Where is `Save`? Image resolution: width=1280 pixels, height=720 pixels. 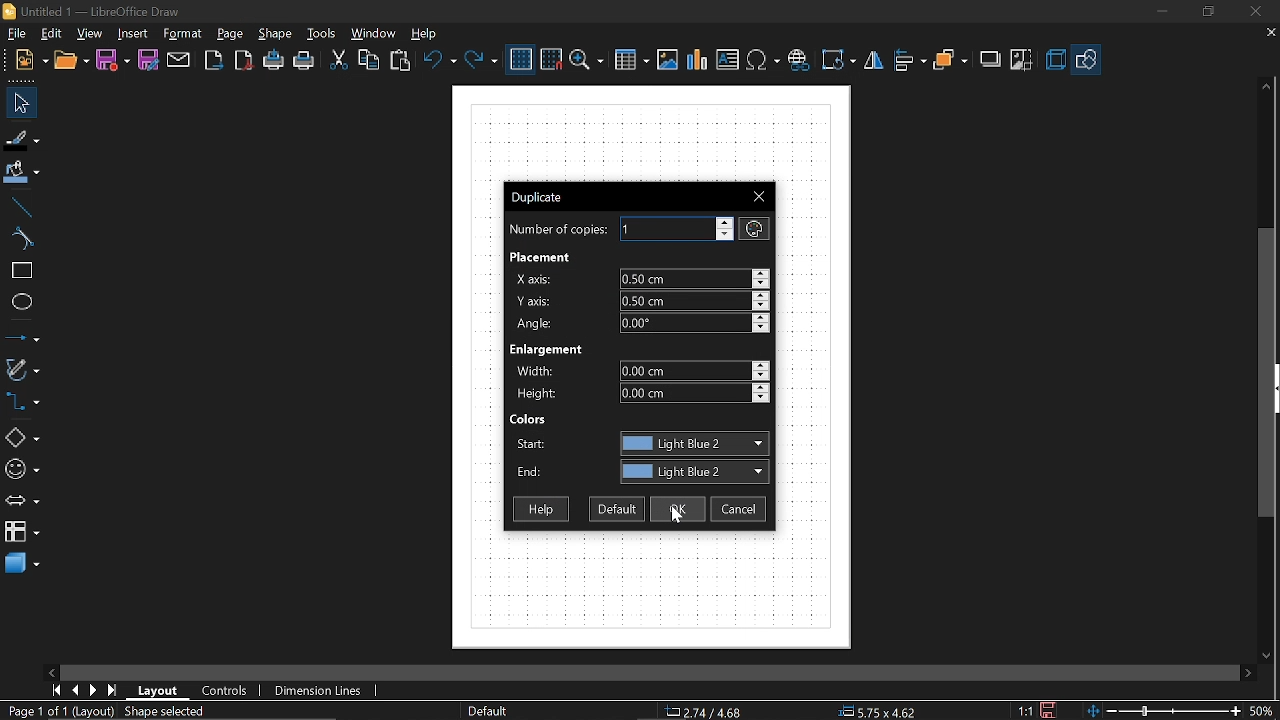 Save is located at coordinates (113, 61).